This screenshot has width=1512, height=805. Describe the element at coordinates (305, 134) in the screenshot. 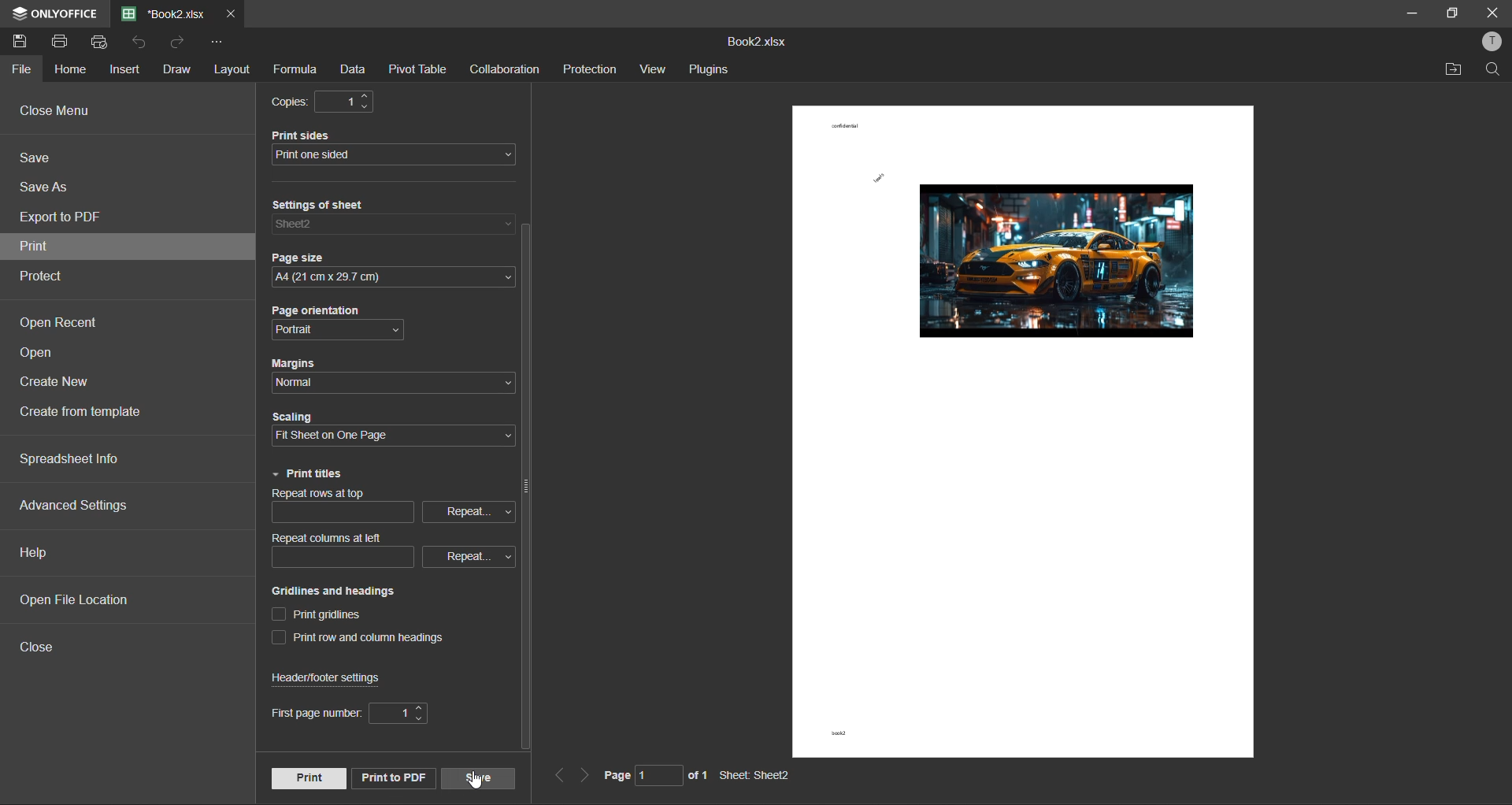

I see `Print sides` at that location.